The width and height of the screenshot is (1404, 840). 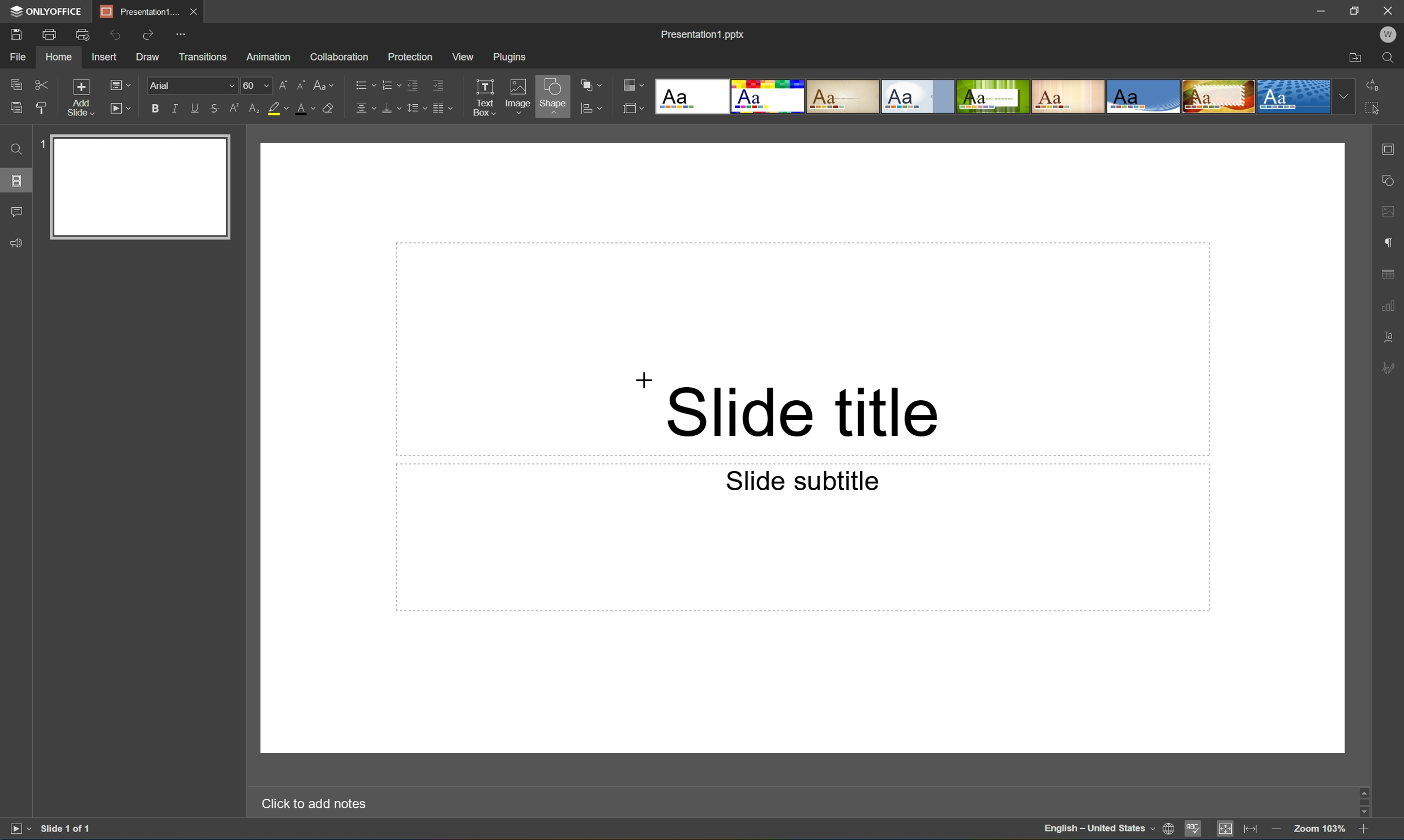 What do you see at coordinates (363, 108) in the screenshot?
I see `Horizontally align` at bounding box center [363, 108].